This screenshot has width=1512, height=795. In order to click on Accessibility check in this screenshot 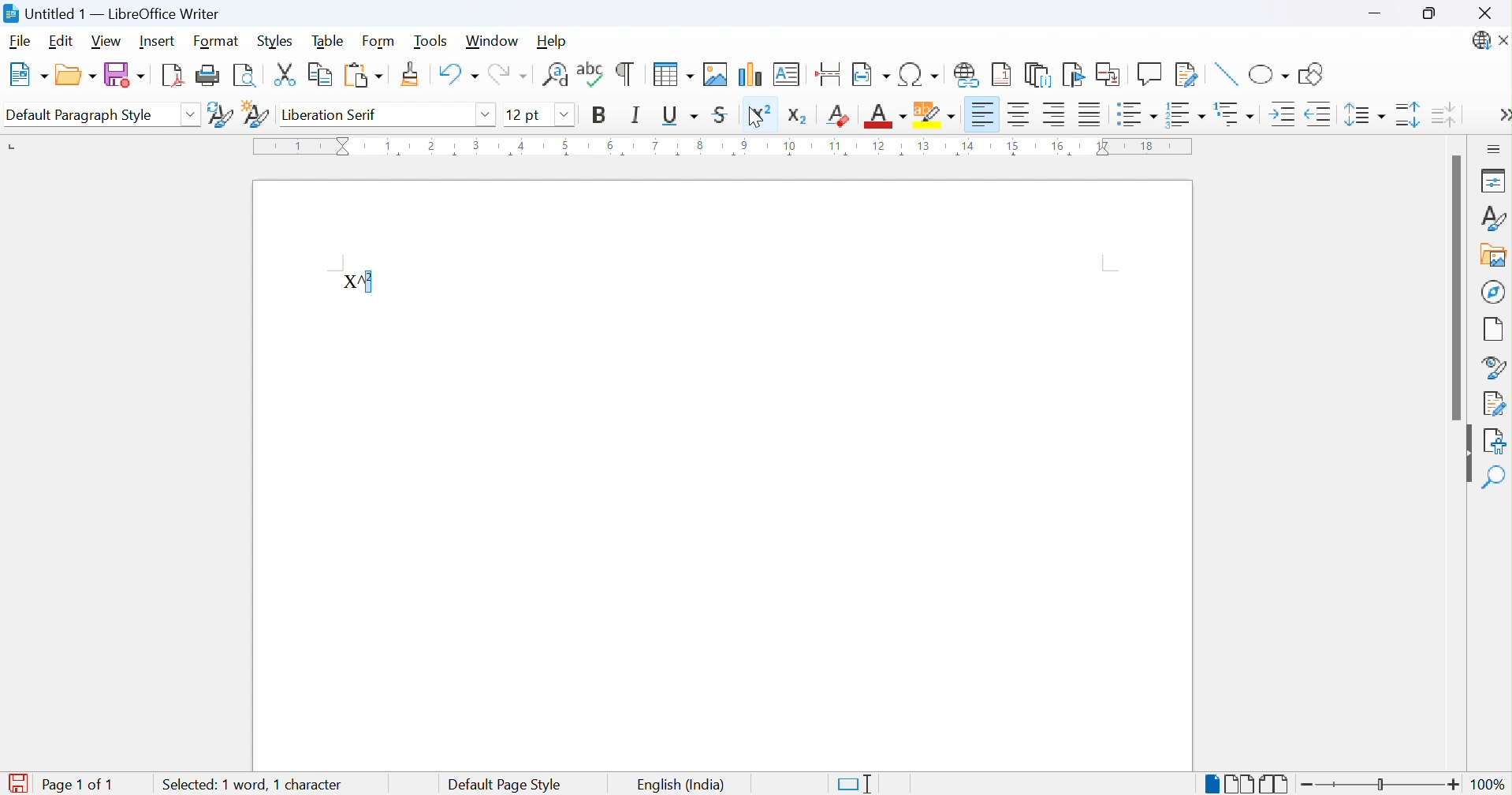, I will do `click(1495, 441)`.